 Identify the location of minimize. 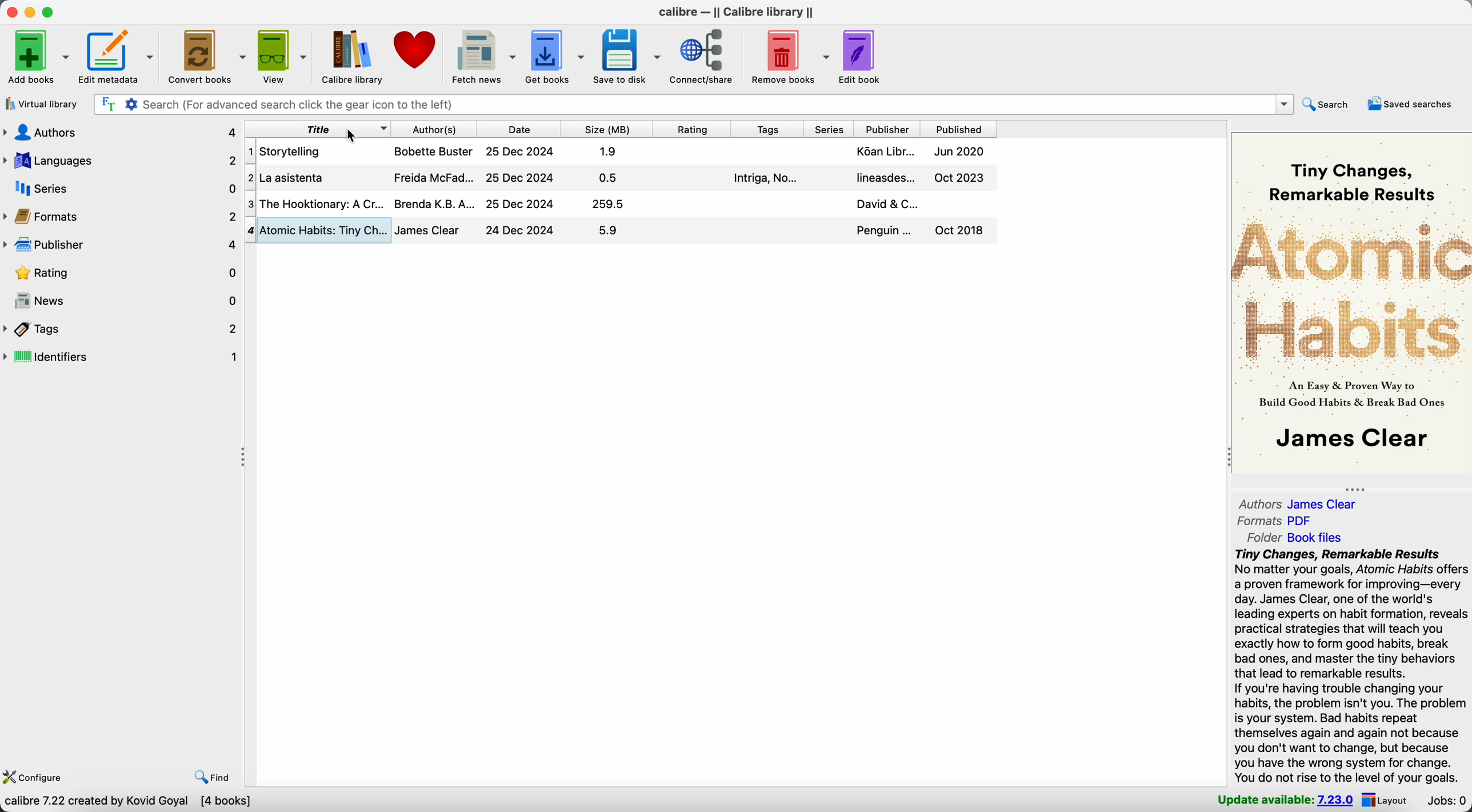
(30, 12).